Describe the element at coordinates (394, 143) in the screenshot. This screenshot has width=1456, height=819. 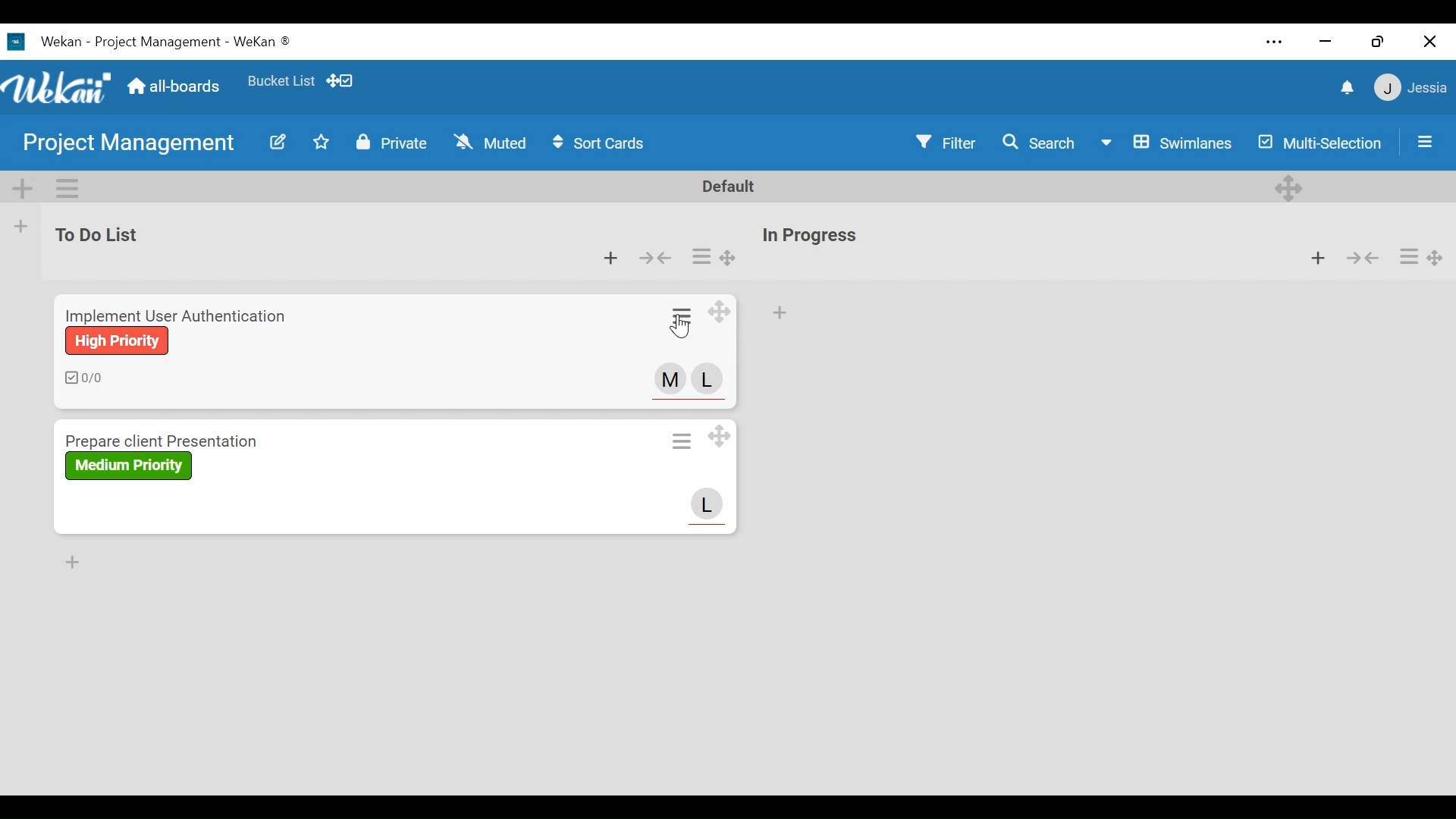
I see `Private` at that location.